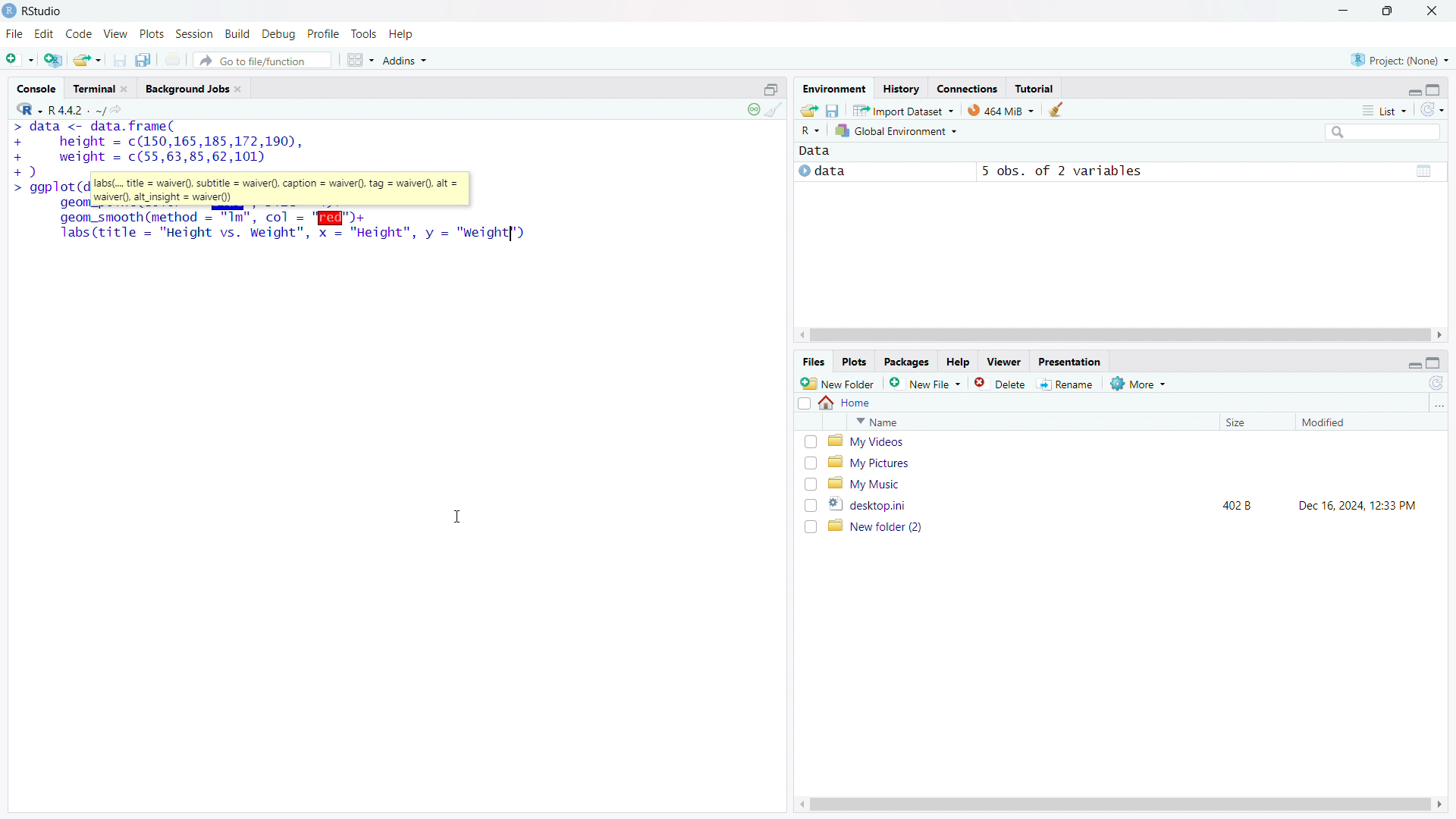 This screenshot has height=819, width=1456. What do you see at coordinates (1389, 11) in the screenshot?
I see `maximize` at bounding box center [1389, 11].